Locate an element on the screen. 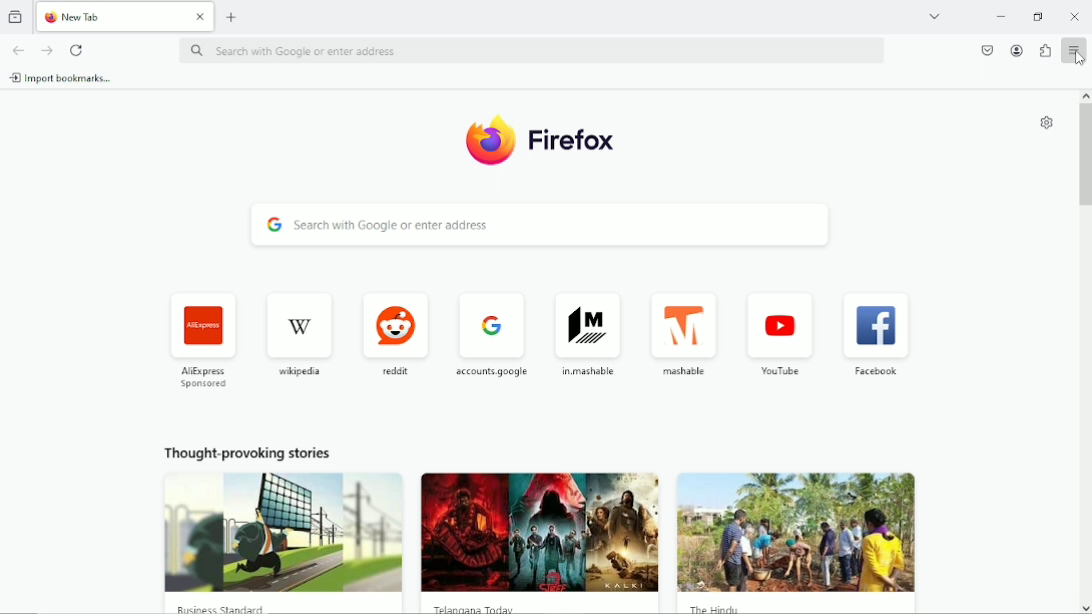 The height and width of the screenshot is (614, 1092). go back is located at coordinates (19, 48).